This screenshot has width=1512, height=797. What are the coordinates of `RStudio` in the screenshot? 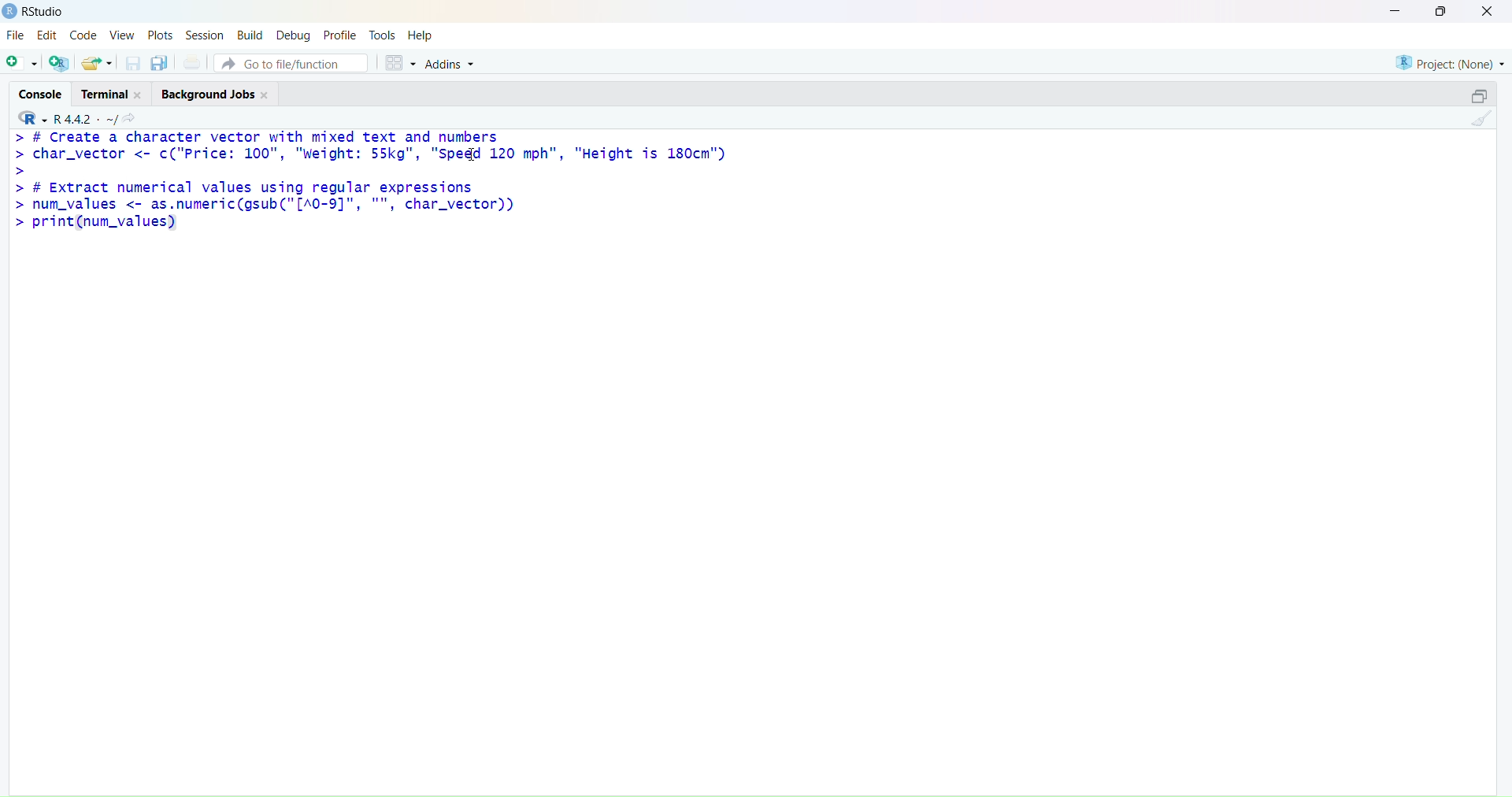 It's located at (45, 11).